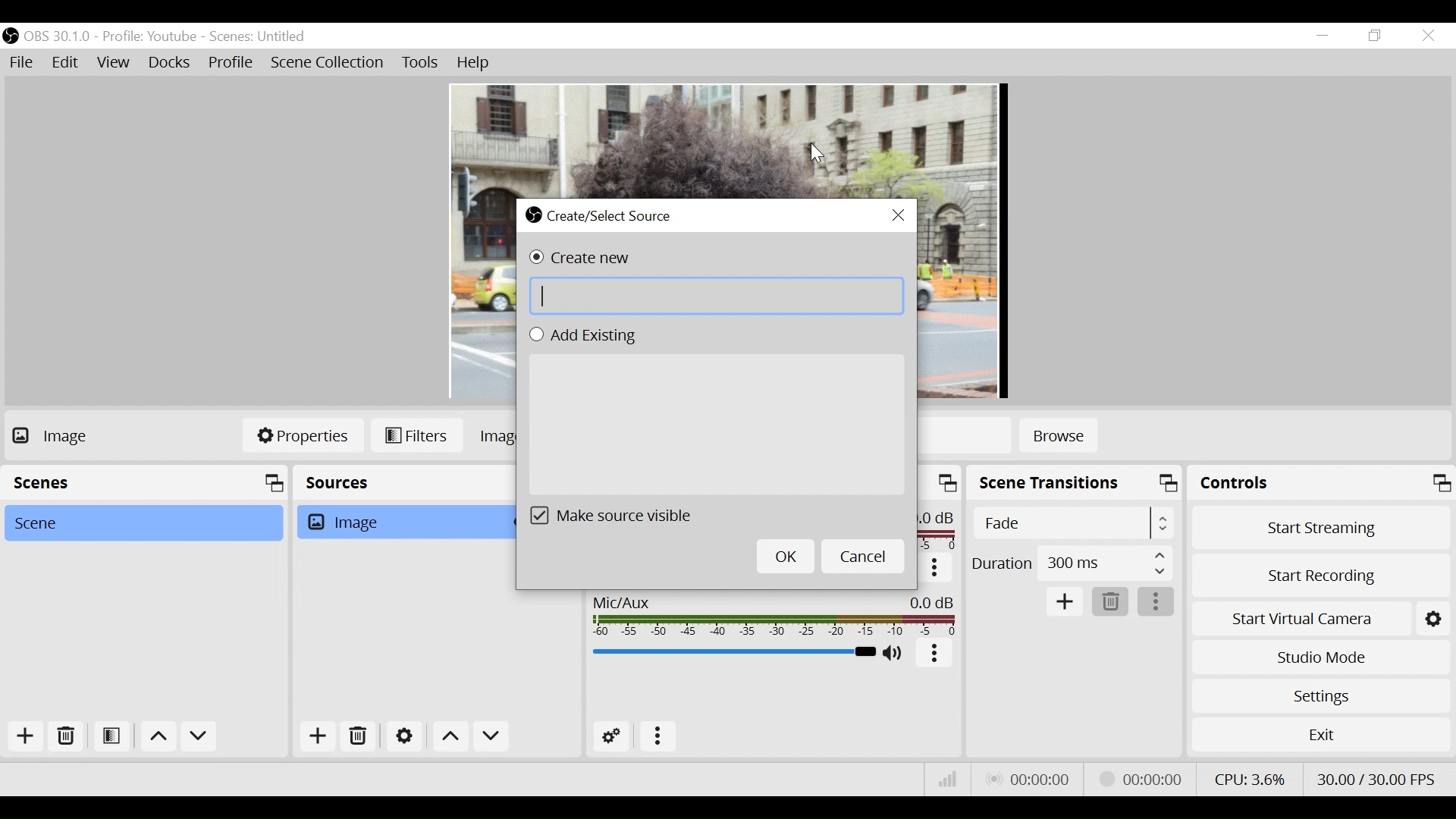 This screenshot has height=819, width=1456. What do you see at coordinates (1064, 602) in the screenshot?
I see `Add` at bounding box center [1064, 602].